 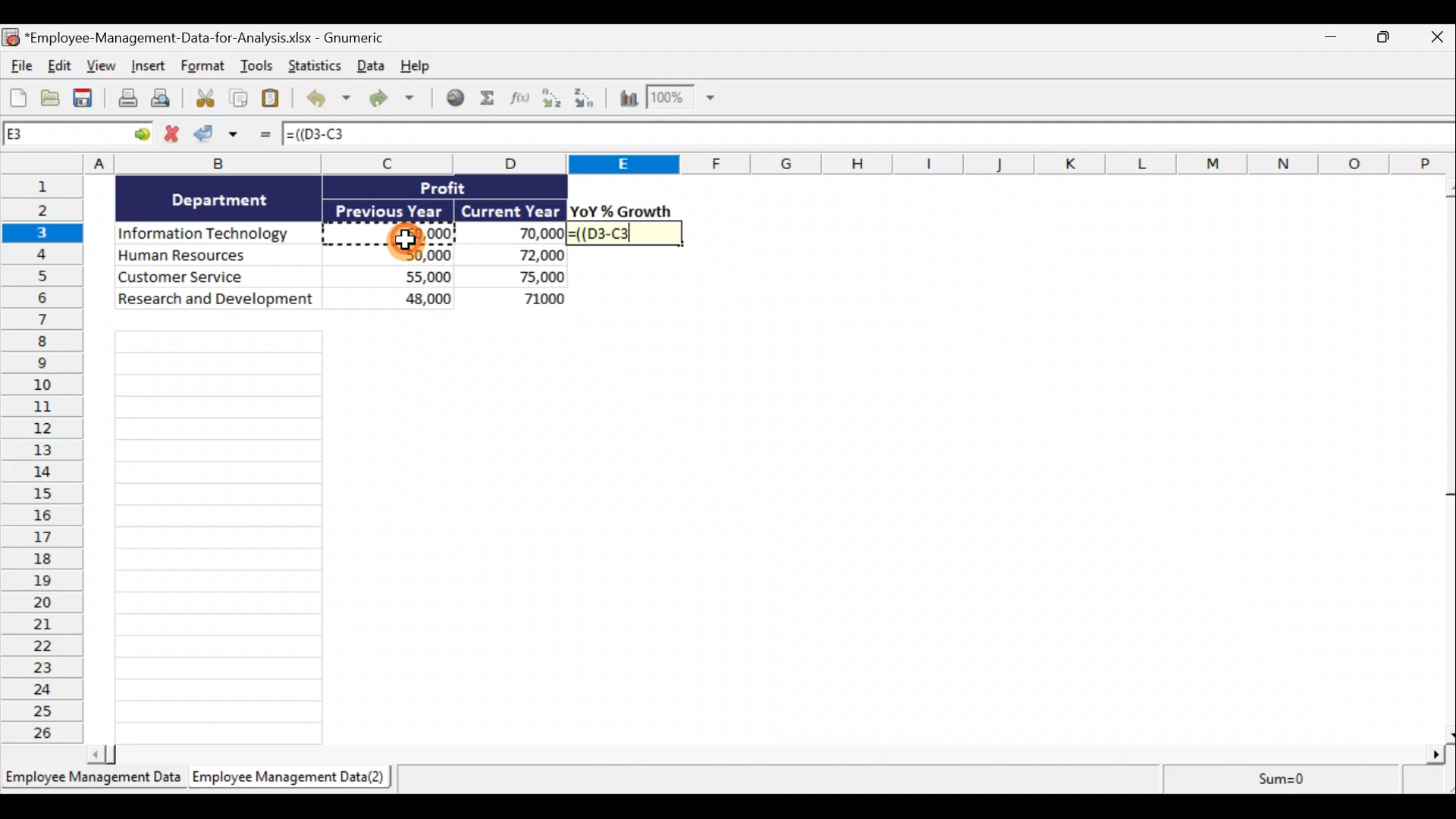 What do you see at coordinates (52, 98) in the screenshot?
I see `Open a file` at bounding box center [52, 98].